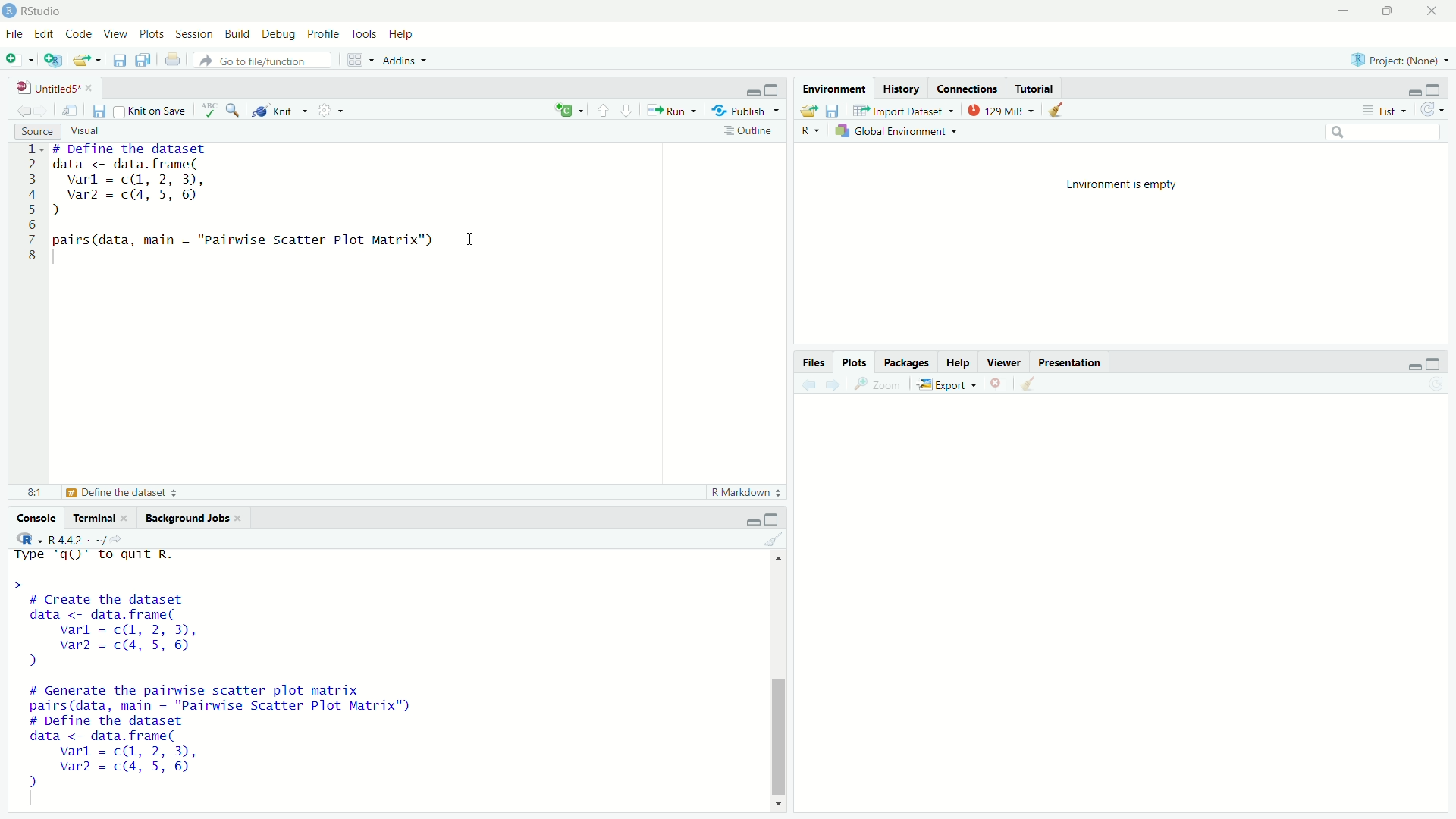  Describe the element at coordinates (120, 58) in the screenshot. I see `Save current document (Ctrl + S)` at that location.